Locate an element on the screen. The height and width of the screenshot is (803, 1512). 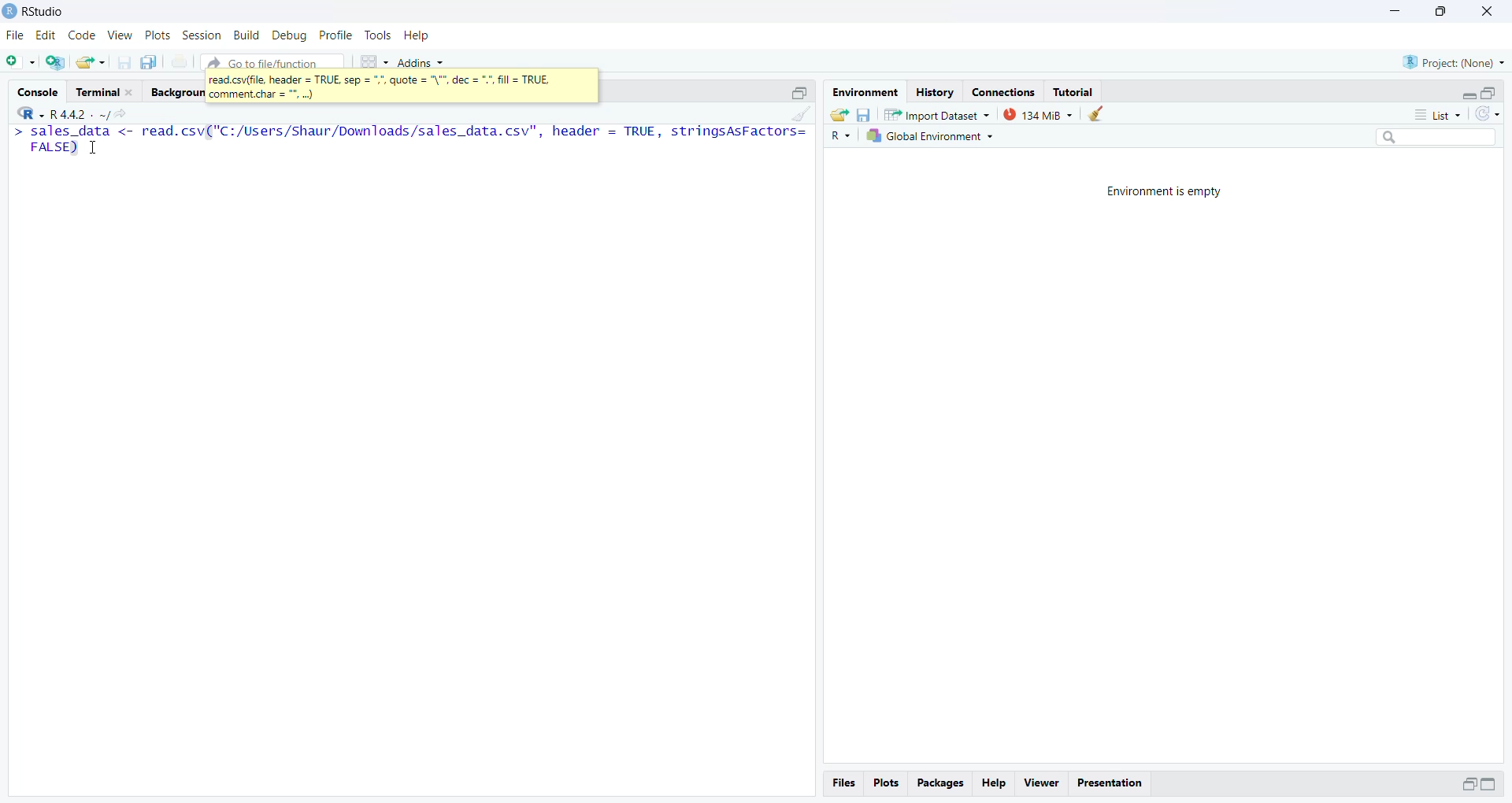
133  MB used by R session is located at coordinates (1039, 117).